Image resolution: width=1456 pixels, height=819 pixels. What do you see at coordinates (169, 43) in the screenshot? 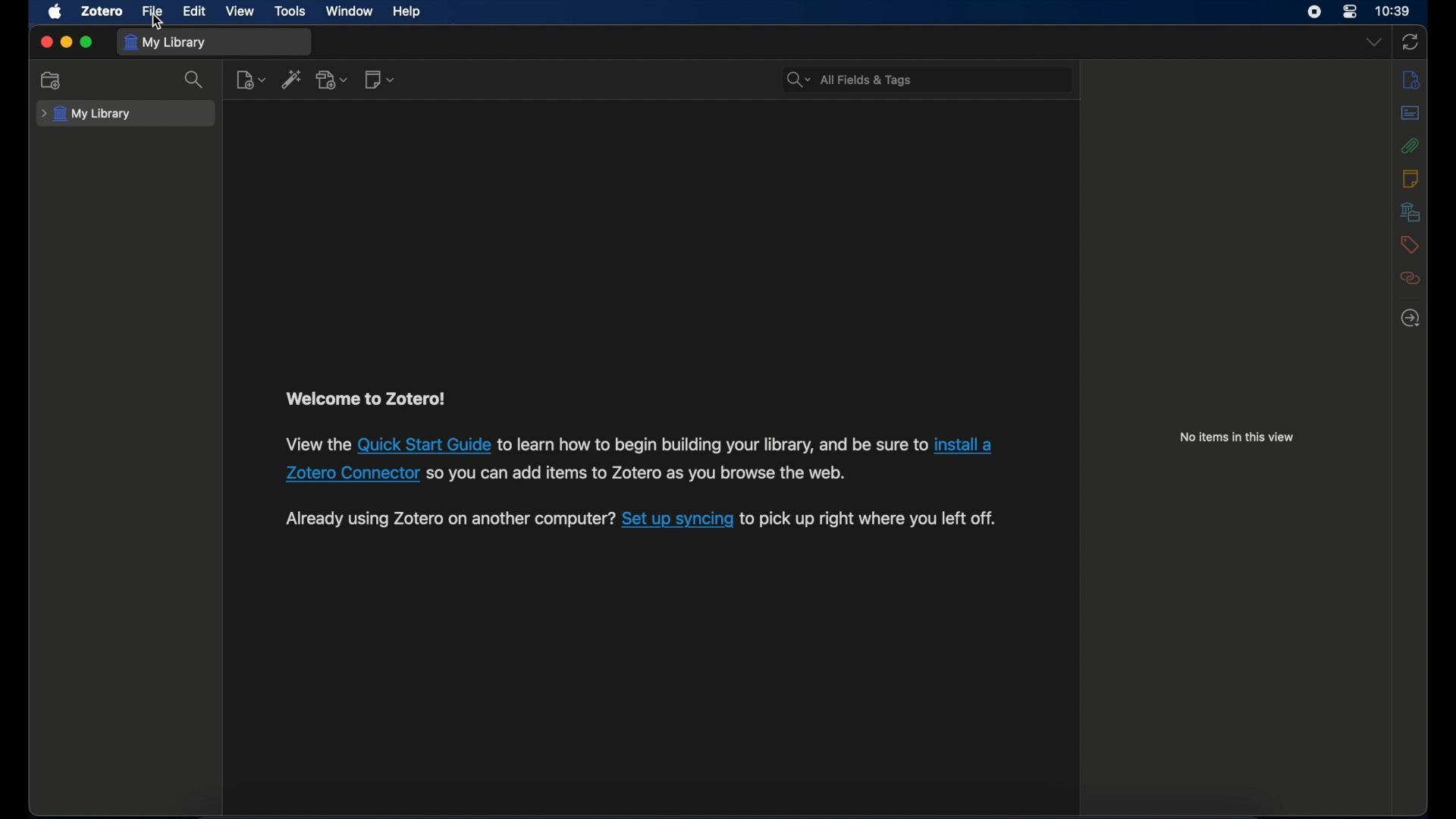
I see `my library` at bounding box center [169, 43].